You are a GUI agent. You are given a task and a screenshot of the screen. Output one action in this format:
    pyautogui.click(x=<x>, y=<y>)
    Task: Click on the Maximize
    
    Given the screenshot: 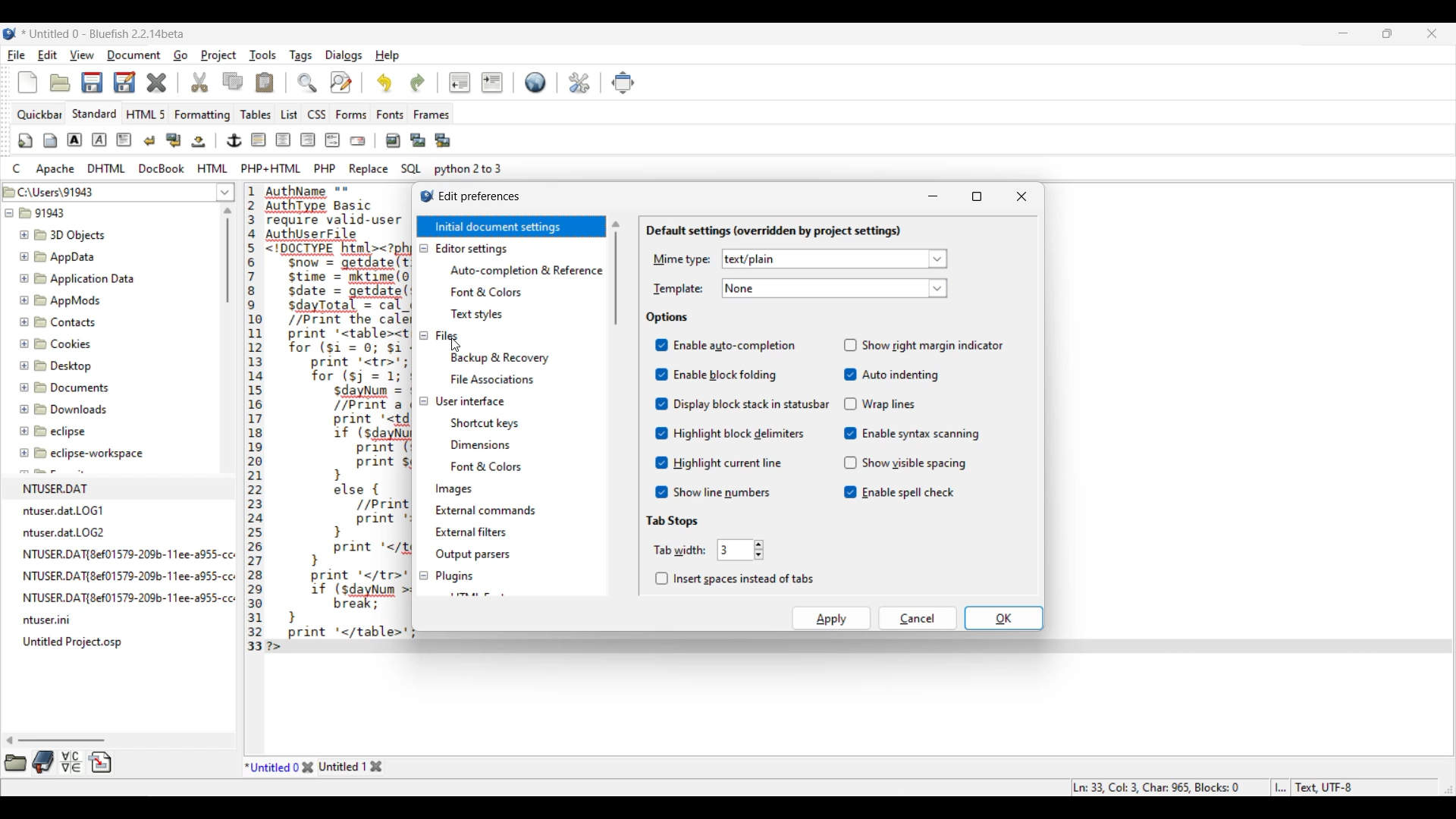 What is the action you would take?
    pyautogui.click(x=977, y=196)
    